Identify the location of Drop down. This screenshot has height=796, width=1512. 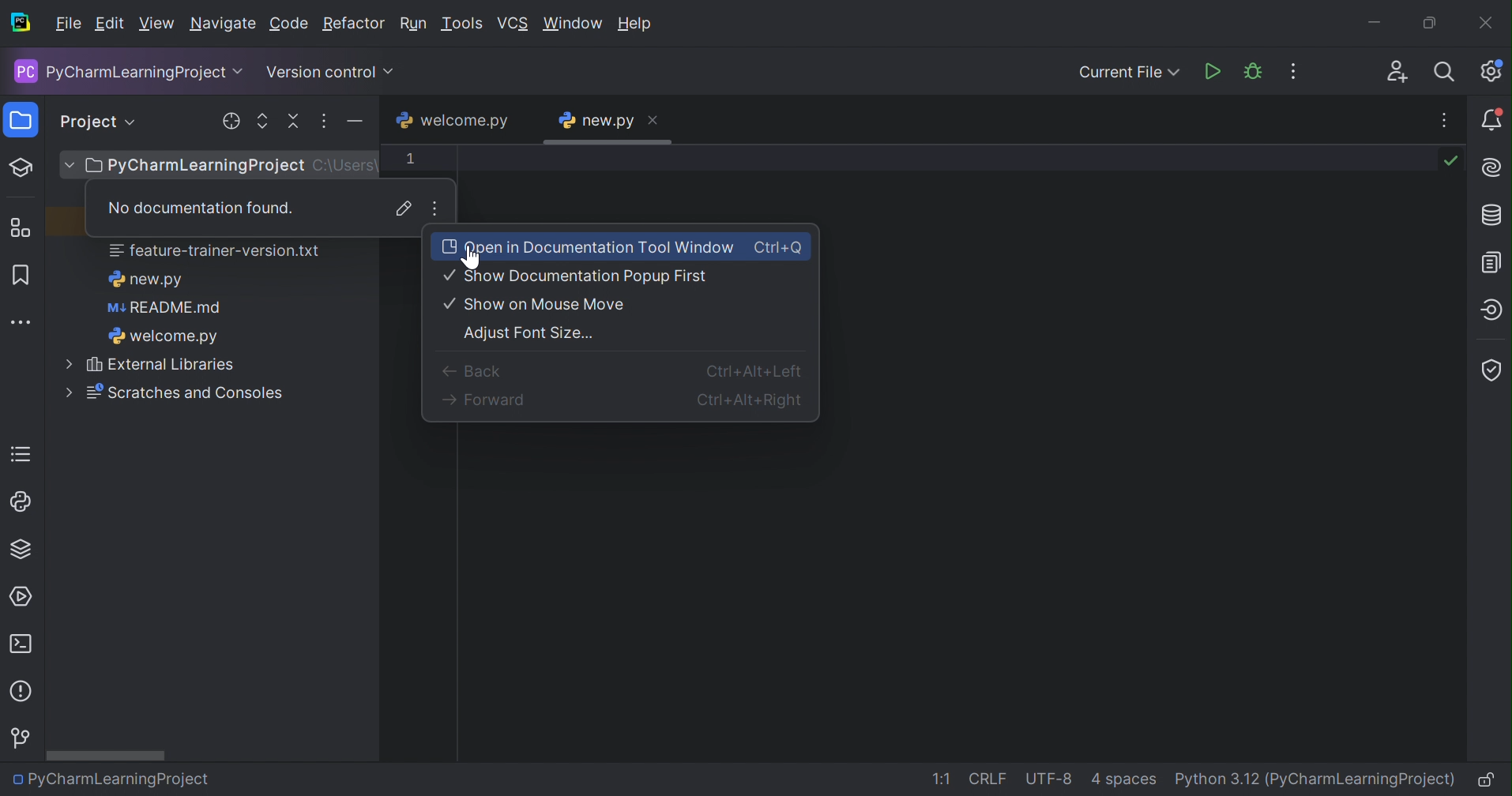
(134, 122).